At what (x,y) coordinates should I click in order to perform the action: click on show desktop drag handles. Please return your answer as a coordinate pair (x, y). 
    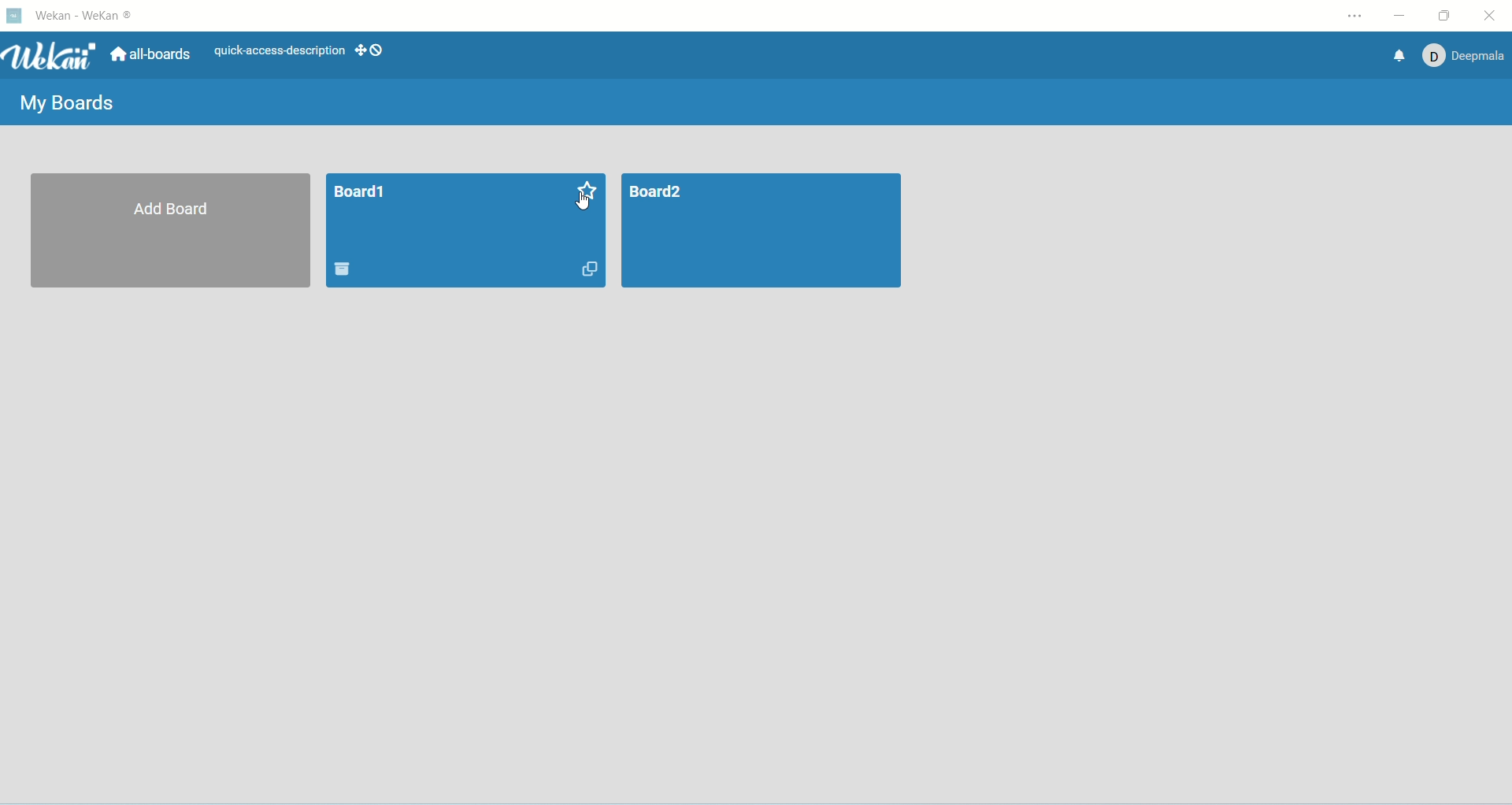
    Looking at the image, I should click on (376, 50).